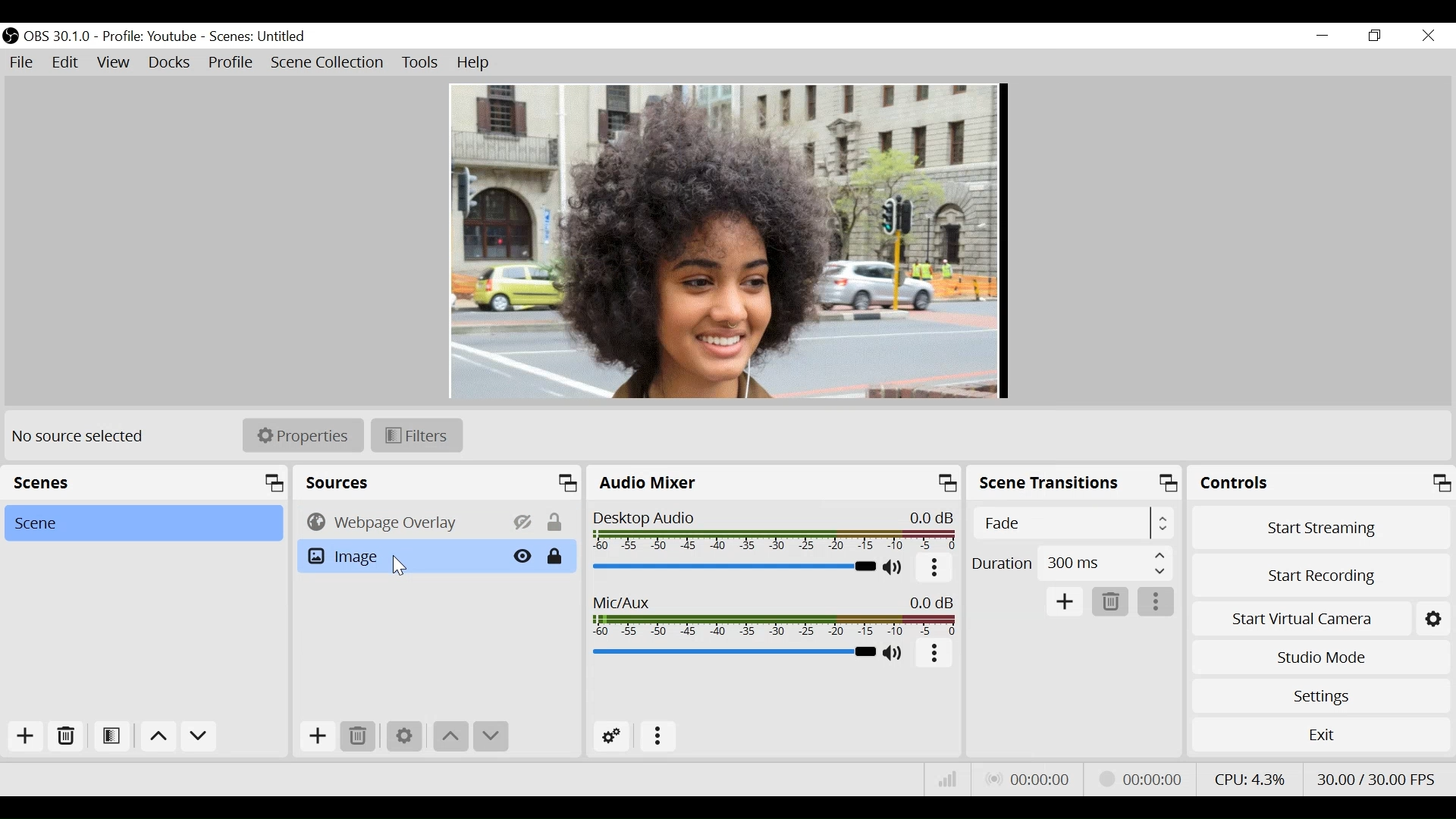 This screenshot has width=1456, height=819. Describe the element at coordinates (1429, 37) in the screenshot. I see `Close` at that location.